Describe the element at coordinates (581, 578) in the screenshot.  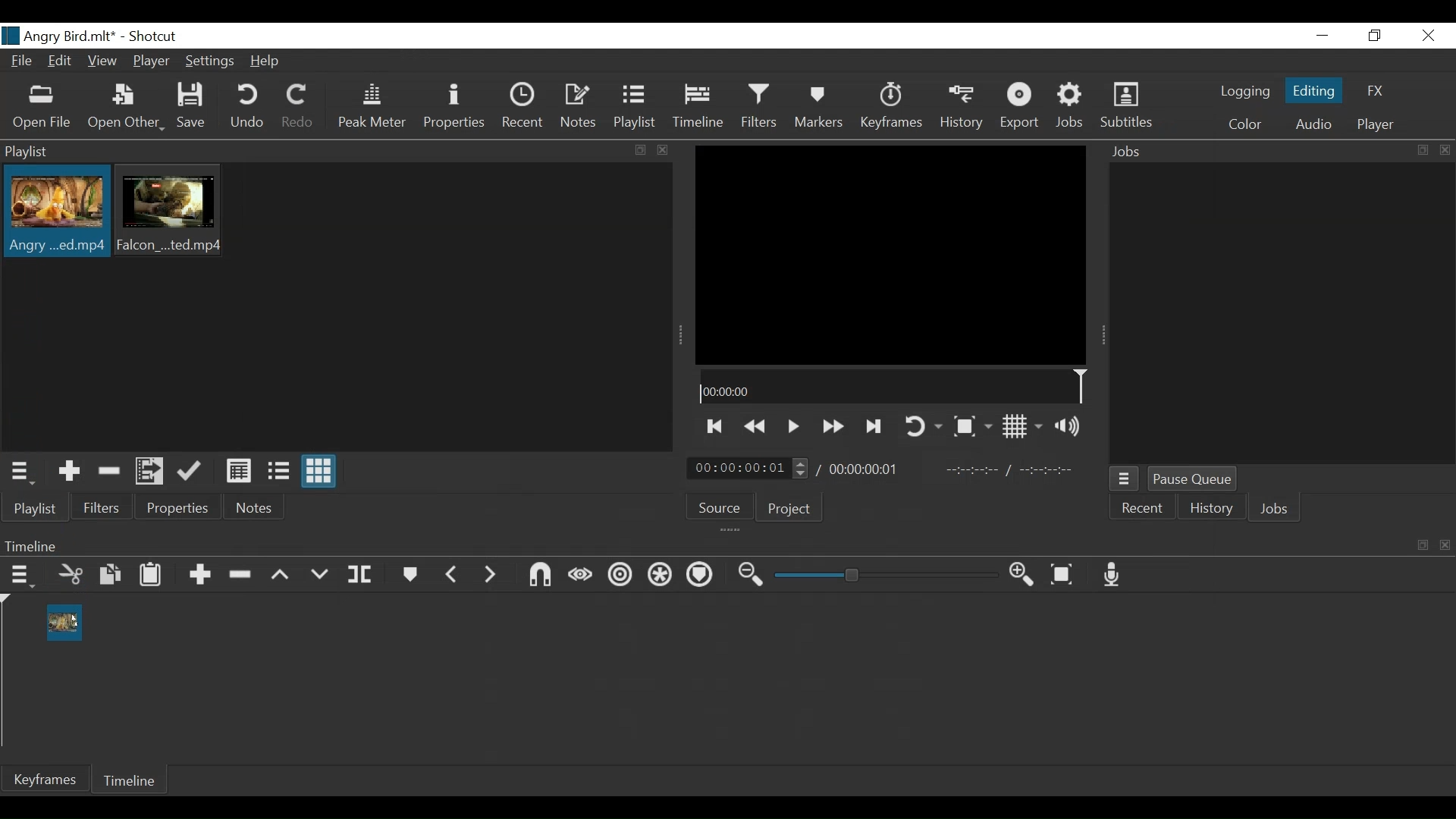
I see `Scrub while dragging` at that location.